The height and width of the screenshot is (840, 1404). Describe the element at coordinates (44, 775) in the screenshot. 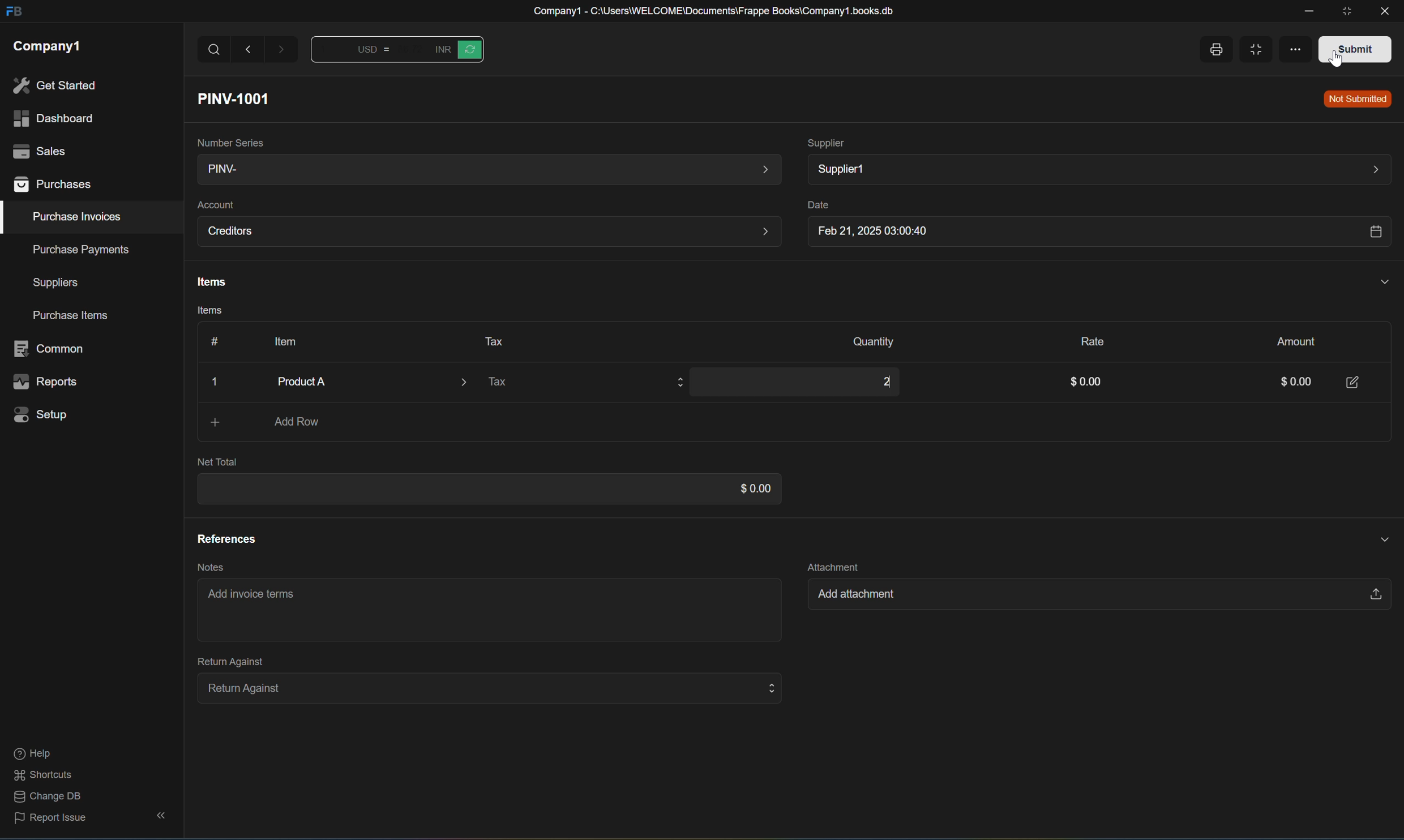

I see `shortcuts` at that location.